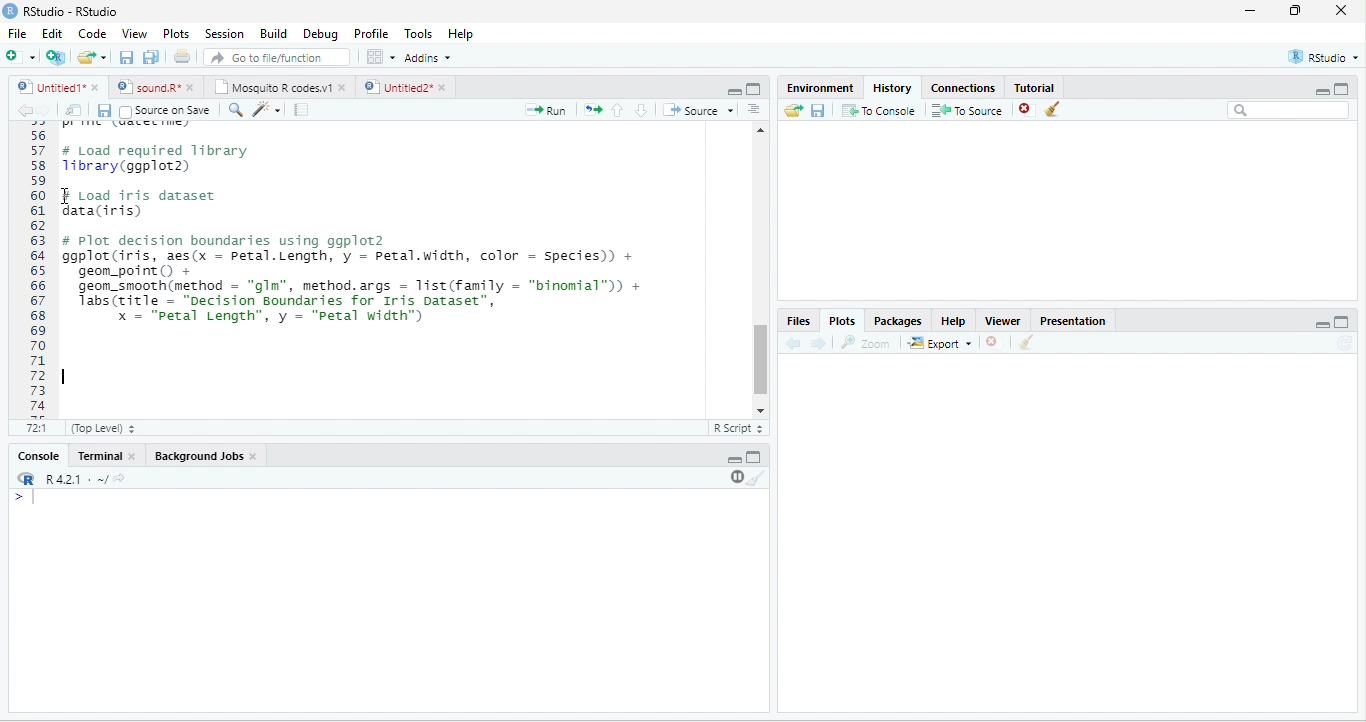 The image size is (1366, 722). What do you see at coordinates (940, 344) in the screenshot?
I see `Export` at bounding box center [940, 344].